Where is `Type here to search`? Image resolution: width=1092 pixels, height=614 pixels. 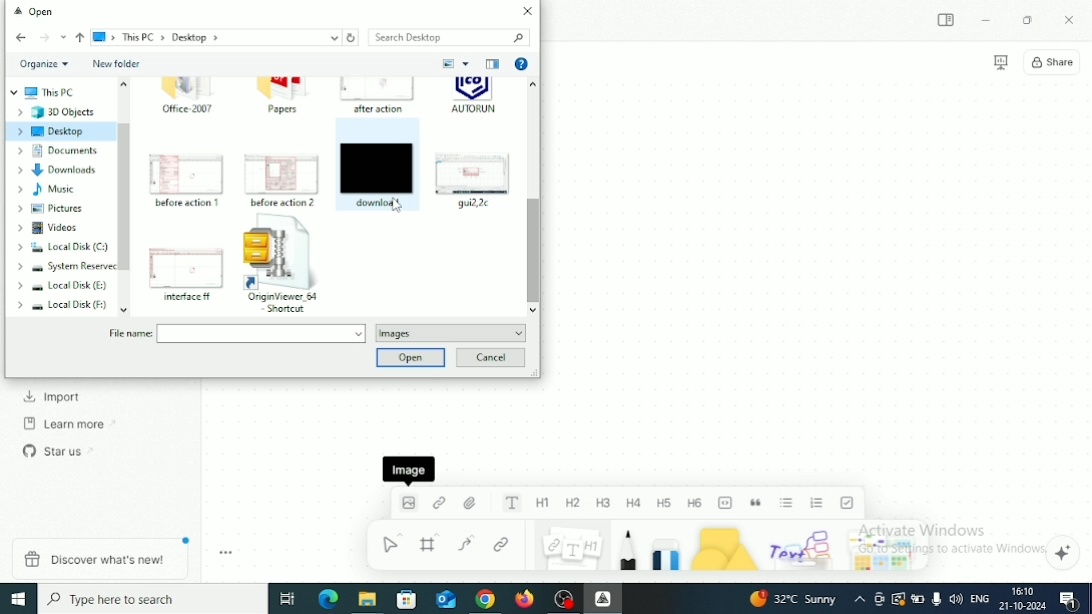 Type here to search is located at coordinates (152, 599).